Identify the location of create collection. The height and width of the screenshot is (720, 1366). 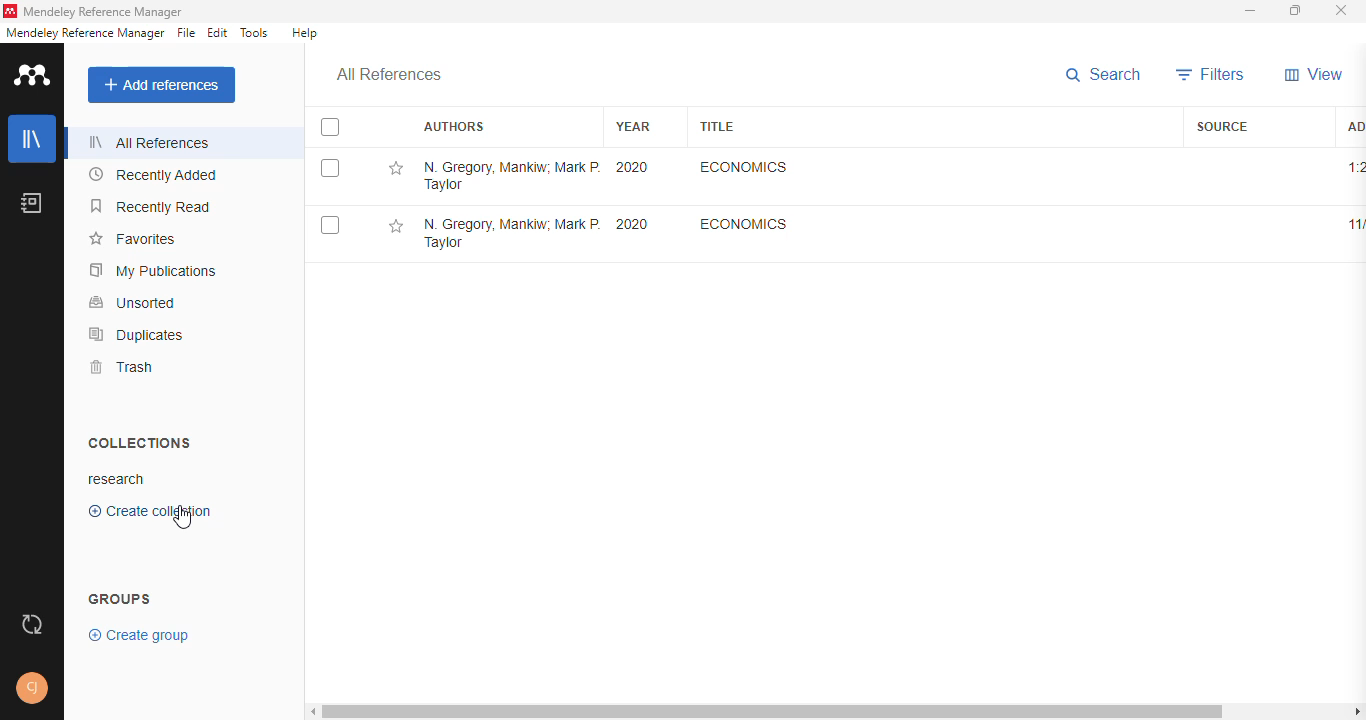
(149, 511).